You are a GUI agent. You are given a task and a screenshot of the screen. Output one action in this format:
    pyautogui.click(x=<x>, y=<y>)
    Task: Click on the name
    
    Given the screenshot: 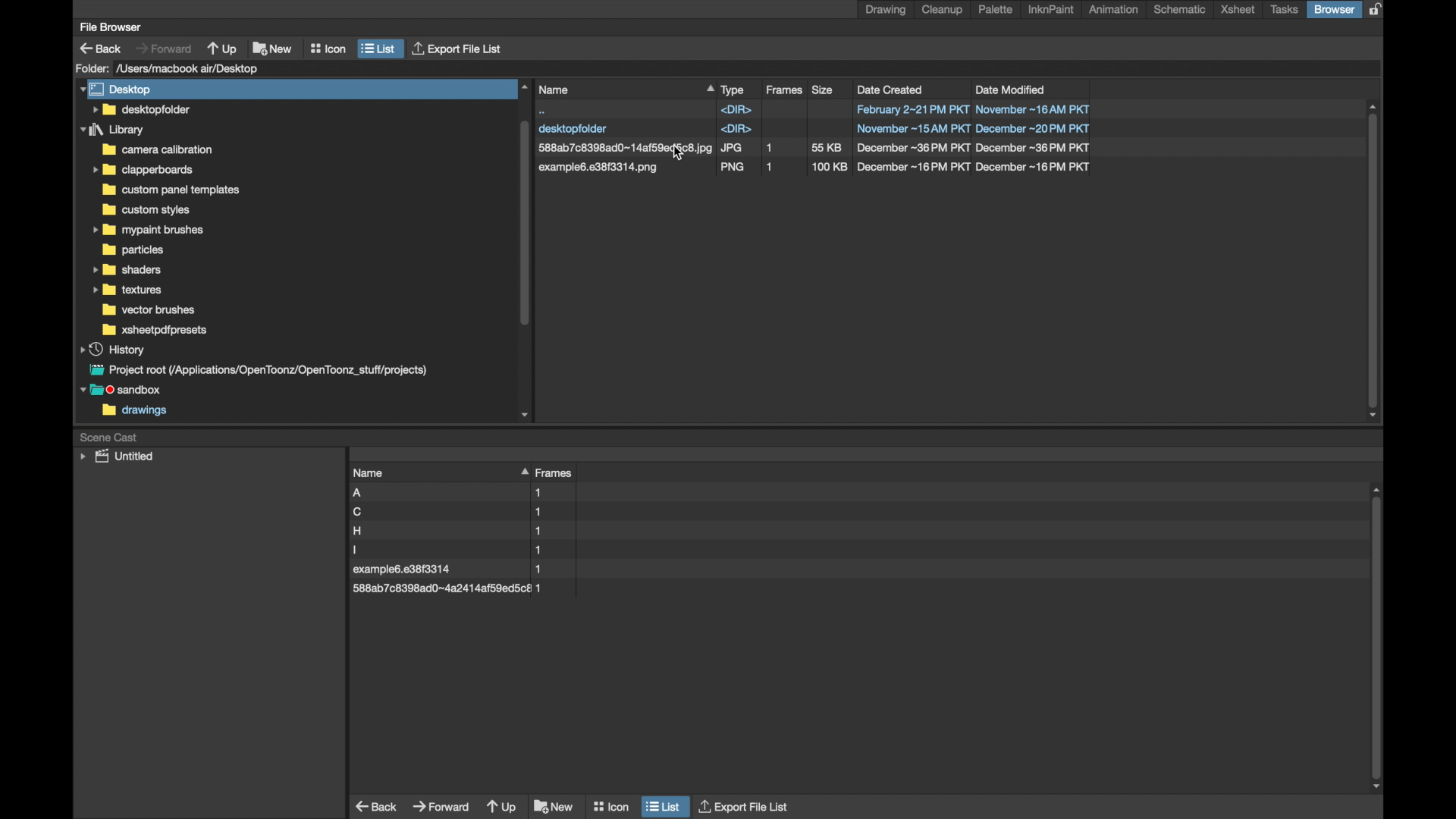 What is the action you would take?
    pyautogui.click(x=369, y=472)
    